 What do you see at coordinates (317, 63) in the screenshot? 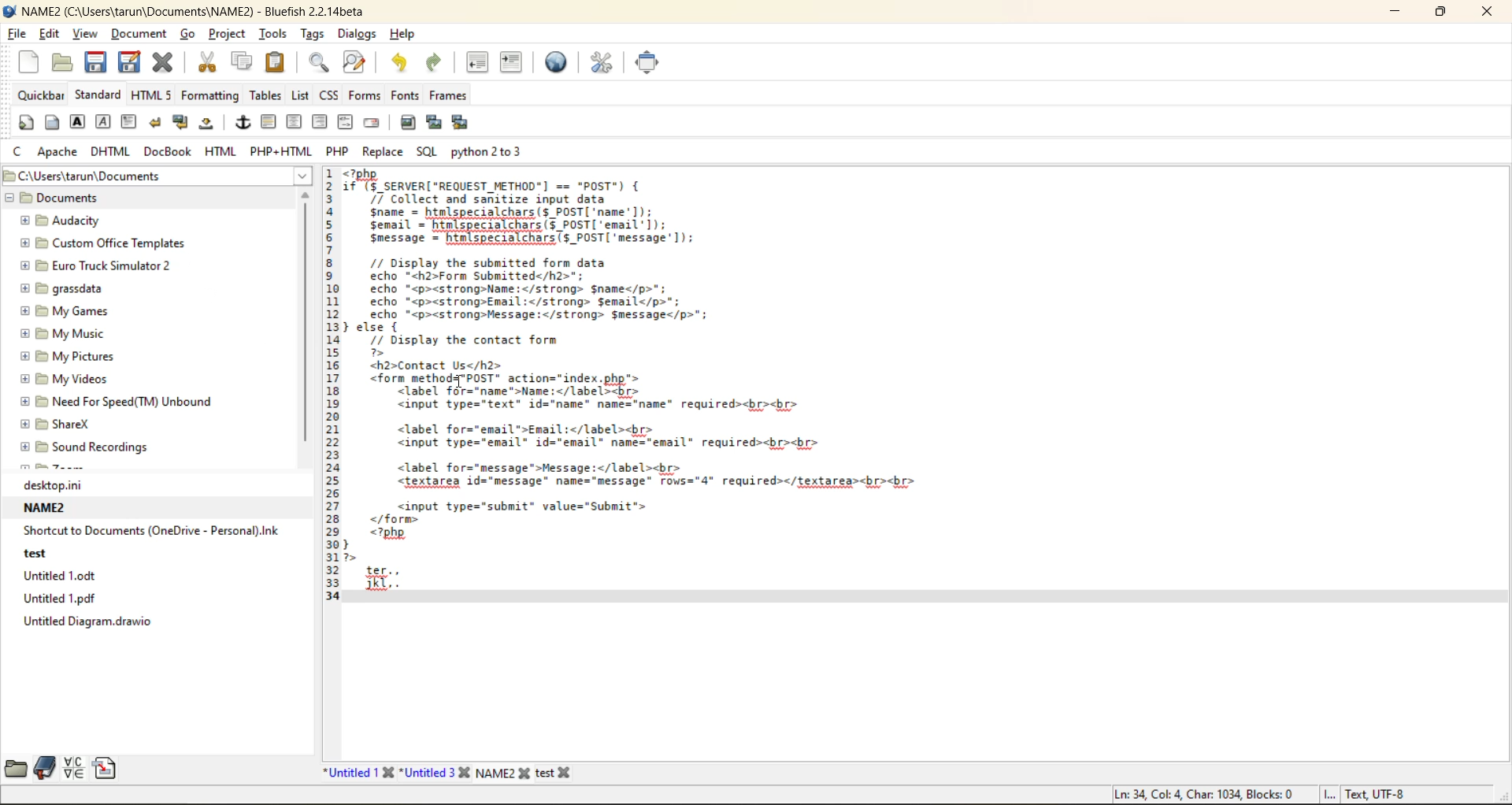
I see `find` at bounding box center [317, 63].